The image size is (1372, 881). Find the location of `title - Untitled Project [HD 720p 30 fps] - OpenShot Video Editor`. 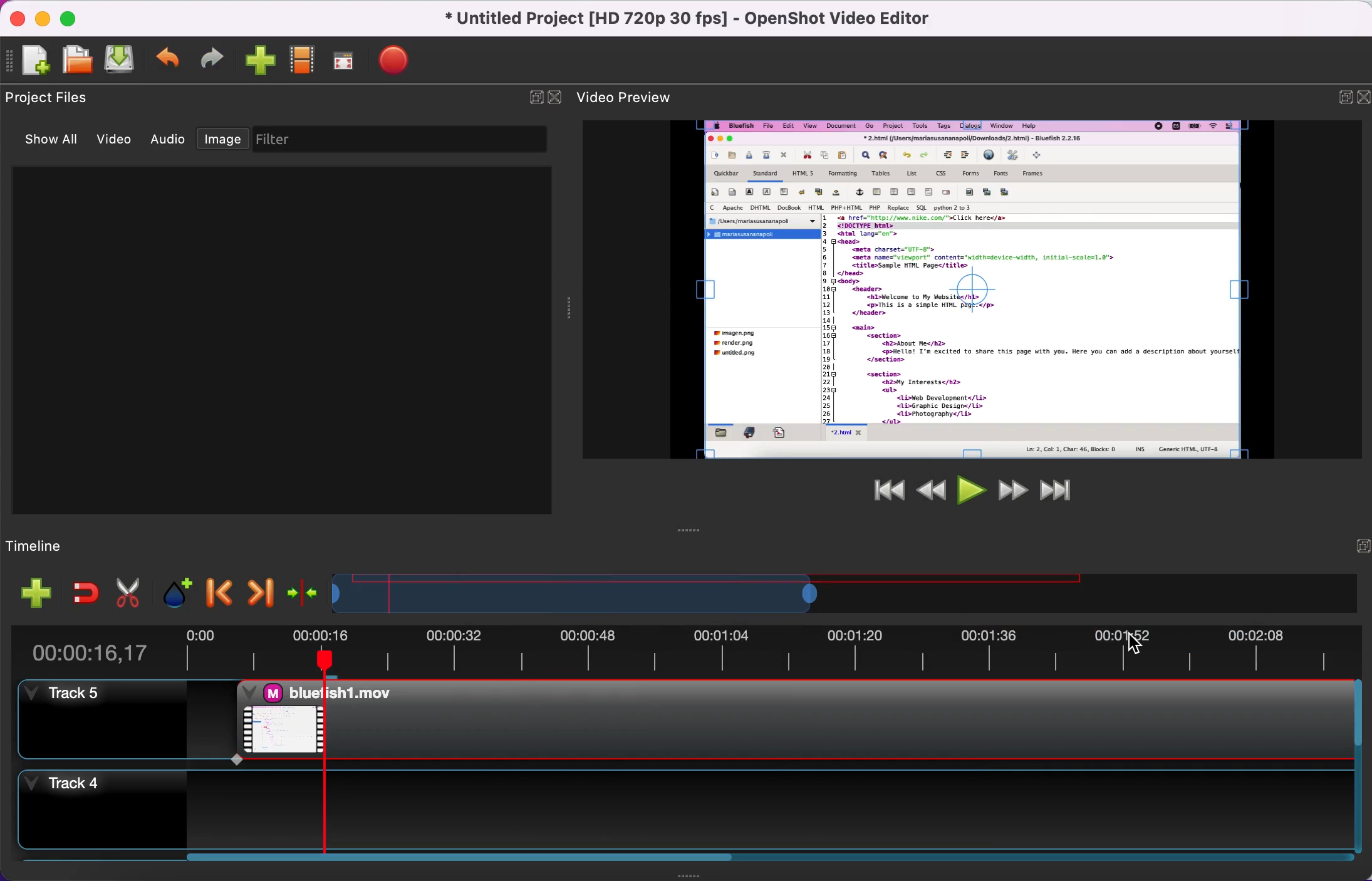

title - Untitled Project [HD 720p 30 fps] - OpenShot Video Editor is located at coordinates (689, 19).